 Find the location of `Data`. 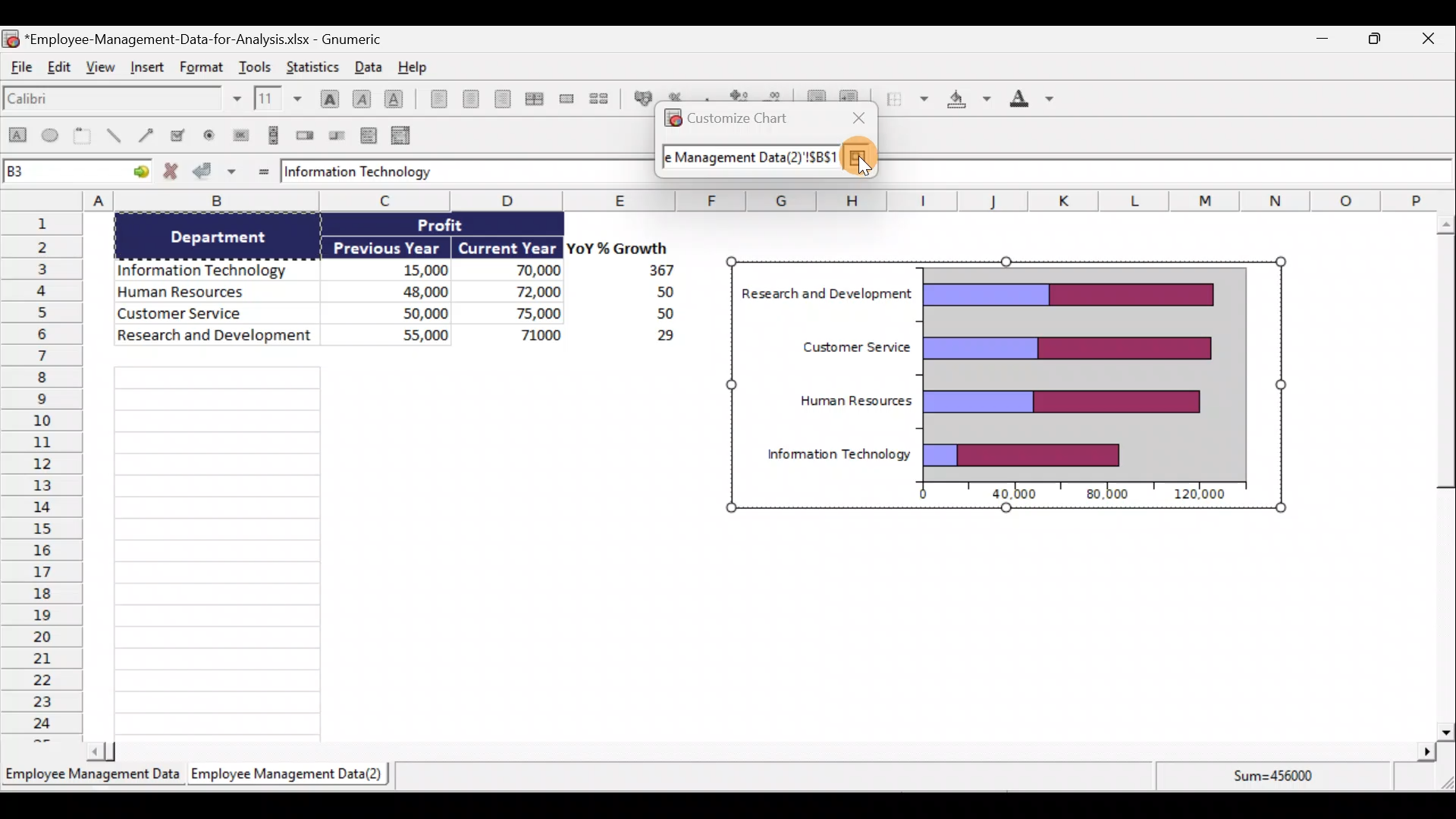

Data is located at coordinates (388, 284).